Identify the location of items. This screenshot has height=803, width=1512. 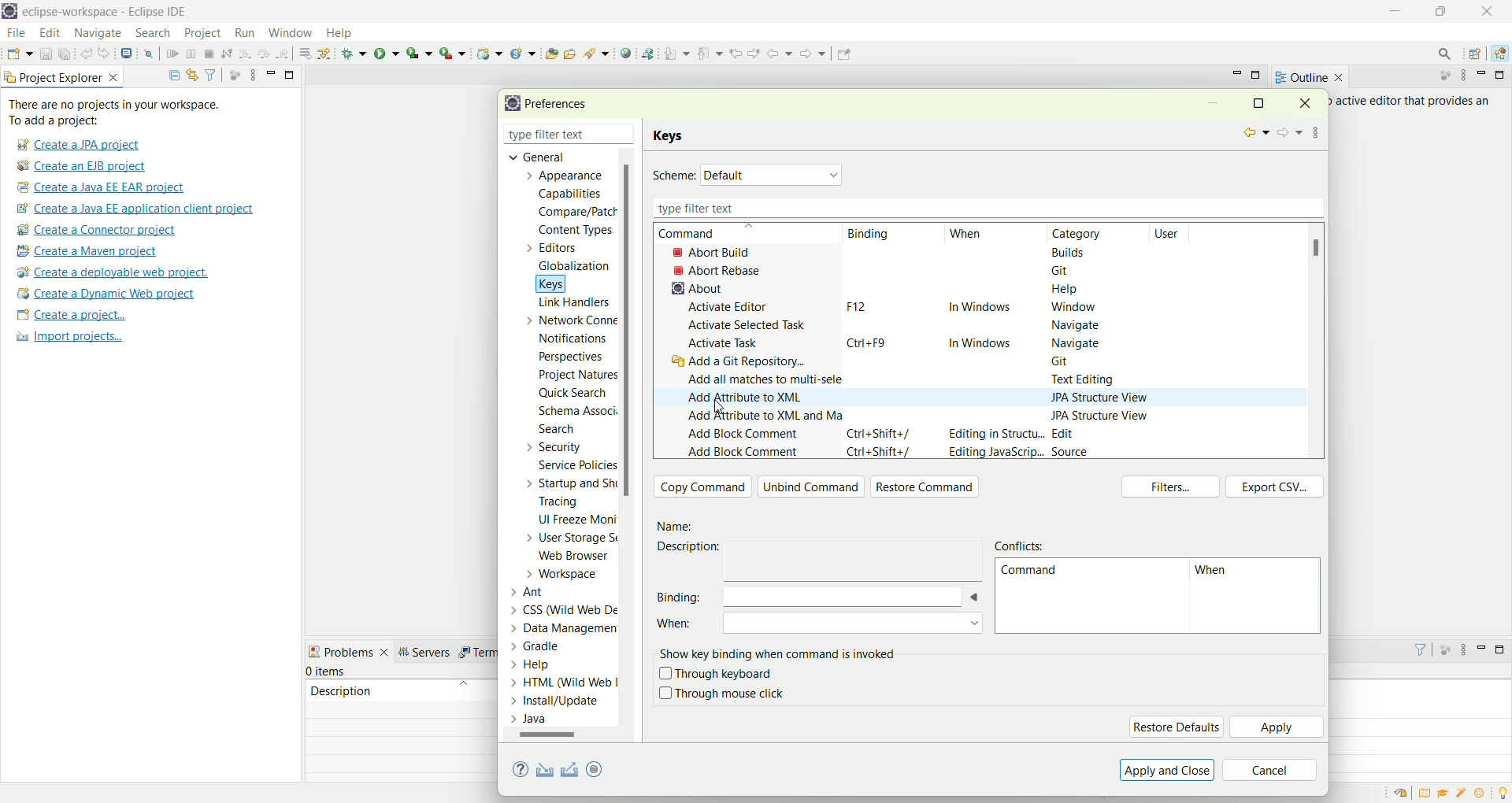
(328, 672).